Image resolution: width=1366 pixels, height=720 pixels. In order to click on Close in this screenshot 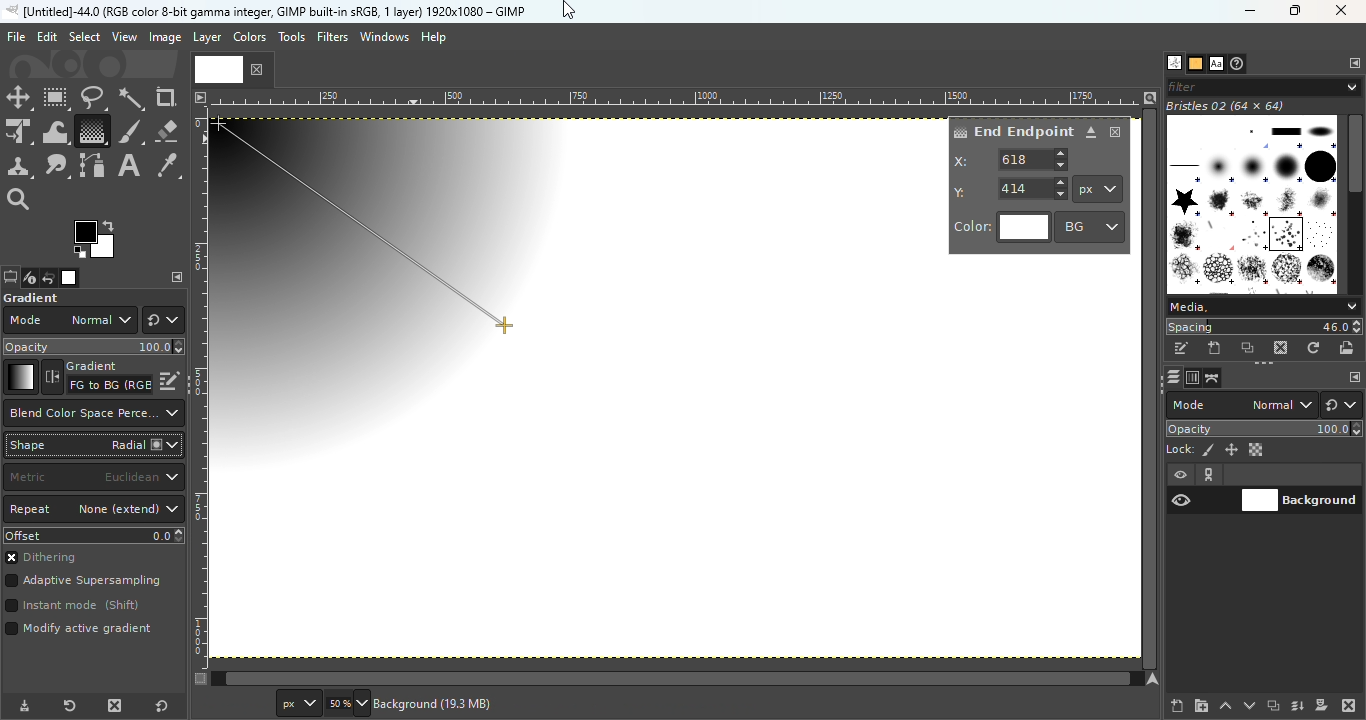, I will do `click(1343, 12)`.